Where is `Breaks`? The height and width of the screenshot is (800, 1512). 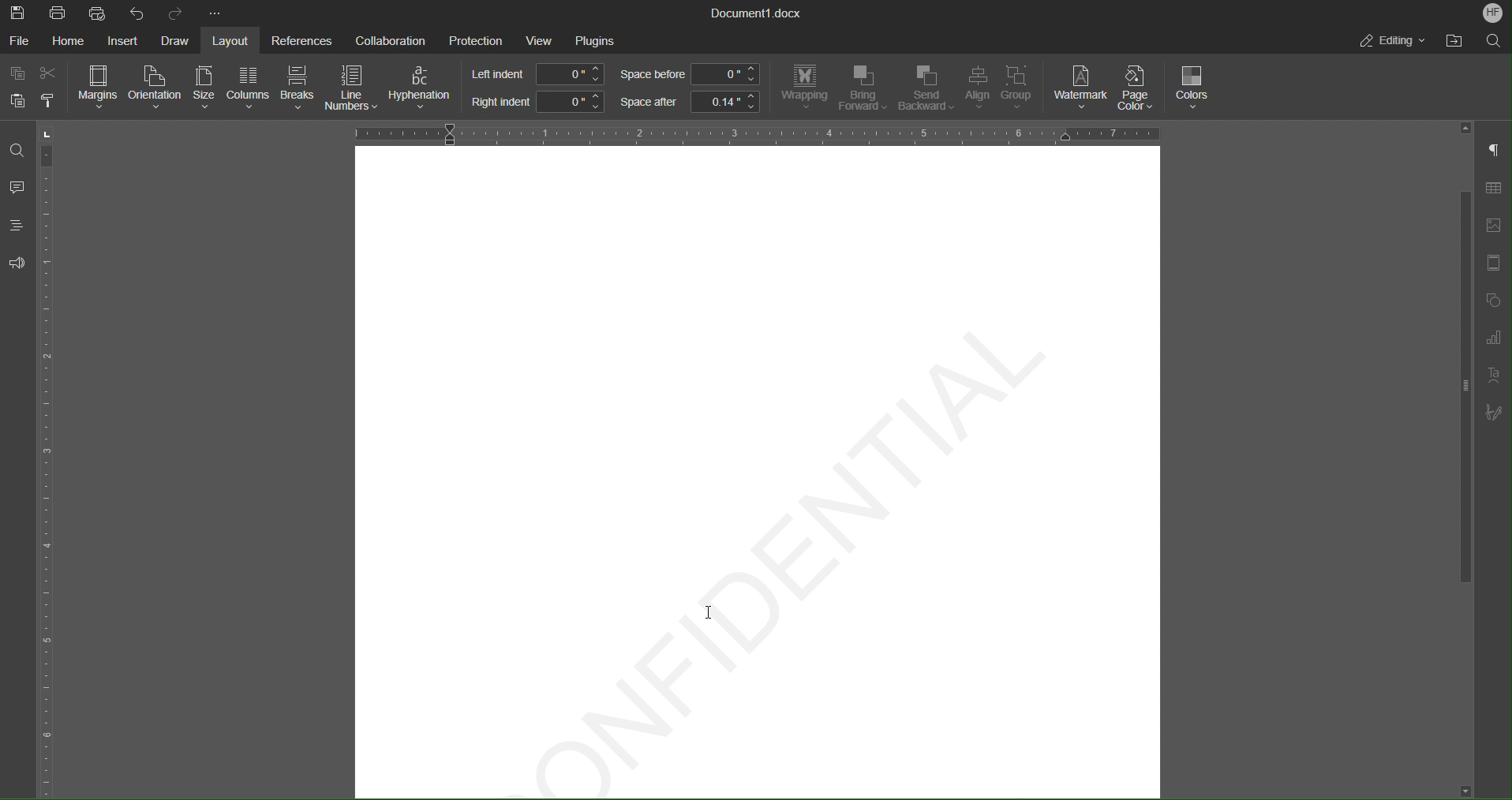 Breaks is located at coordinates (298, 89).